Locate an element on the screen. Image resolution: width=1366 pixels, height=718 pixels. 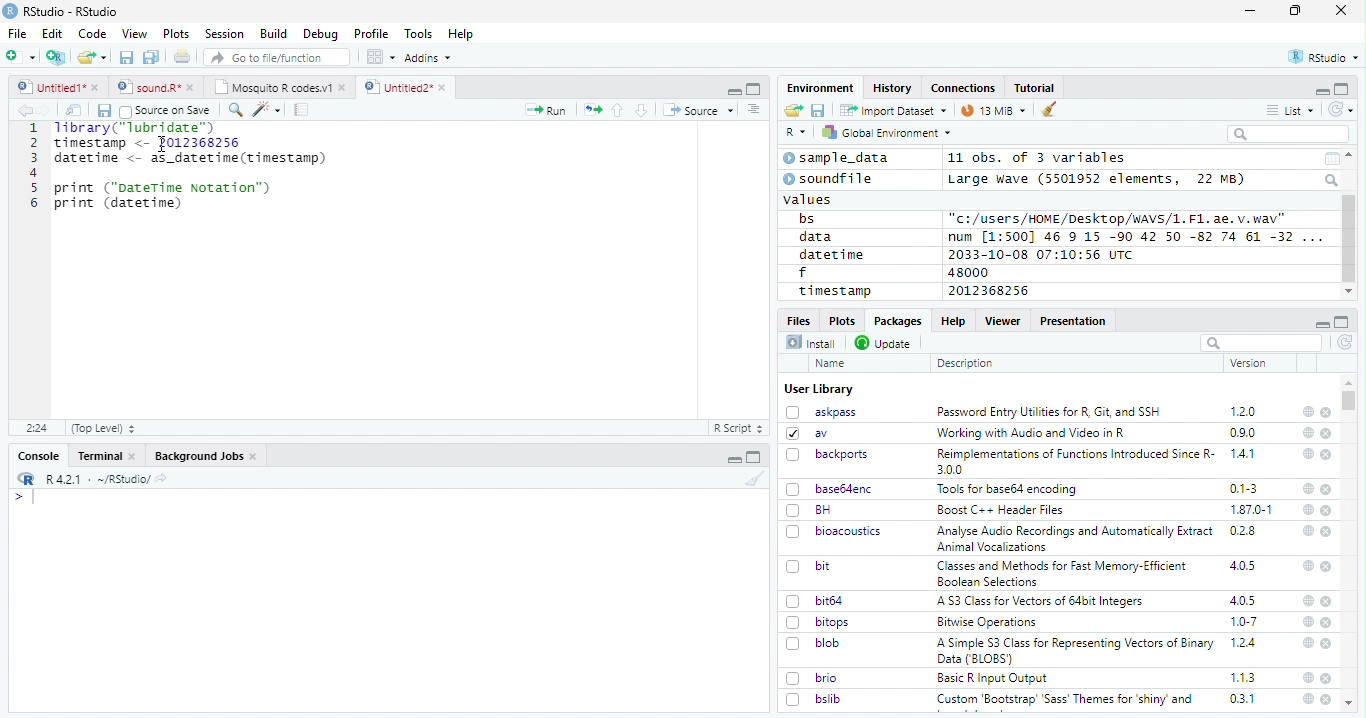
Large wave (5501952 elements, 22 MB) is located at coordinates (1099, 179).